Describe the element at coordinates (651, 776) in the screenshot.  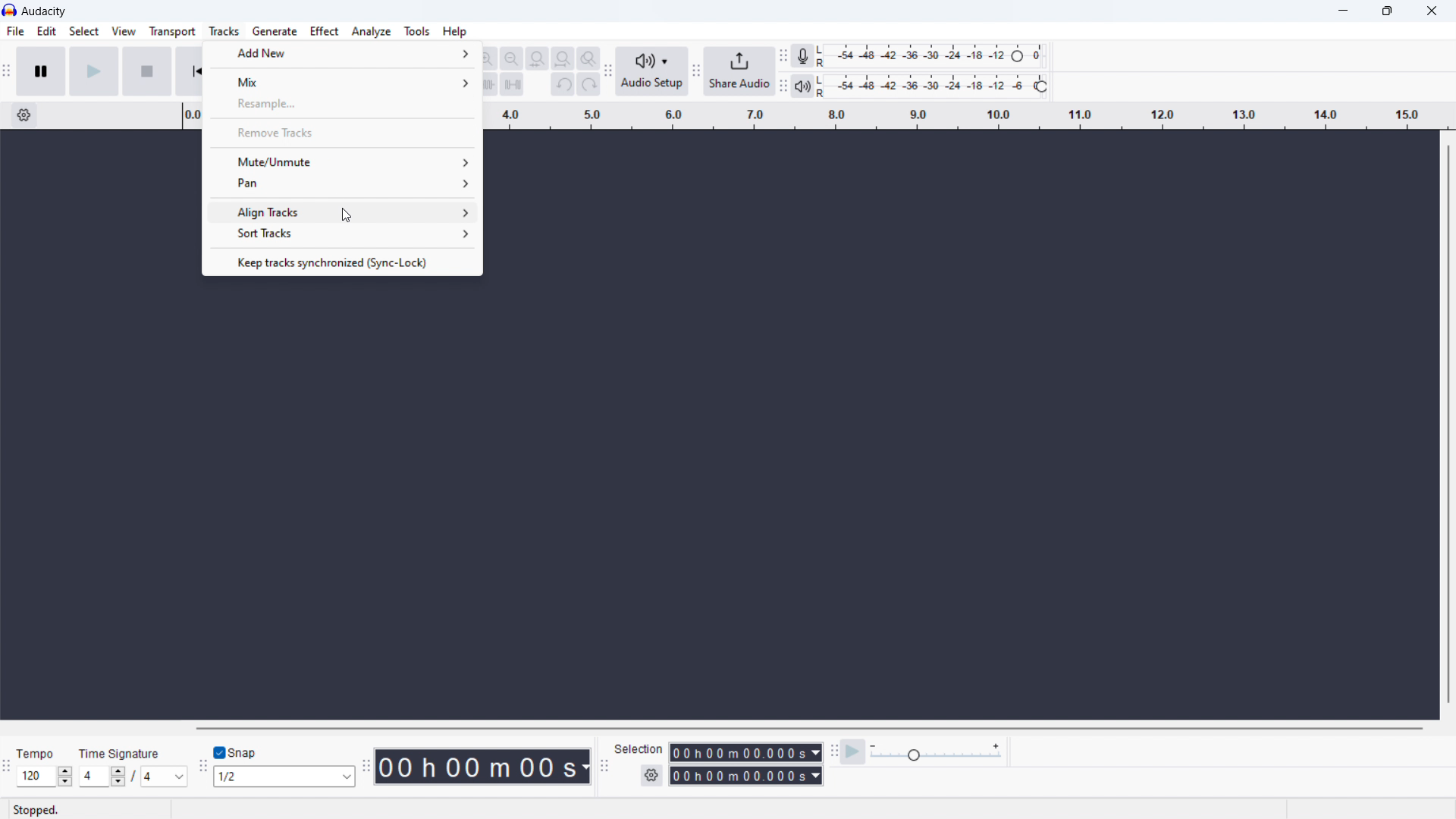
I see `selection settings` at that location.